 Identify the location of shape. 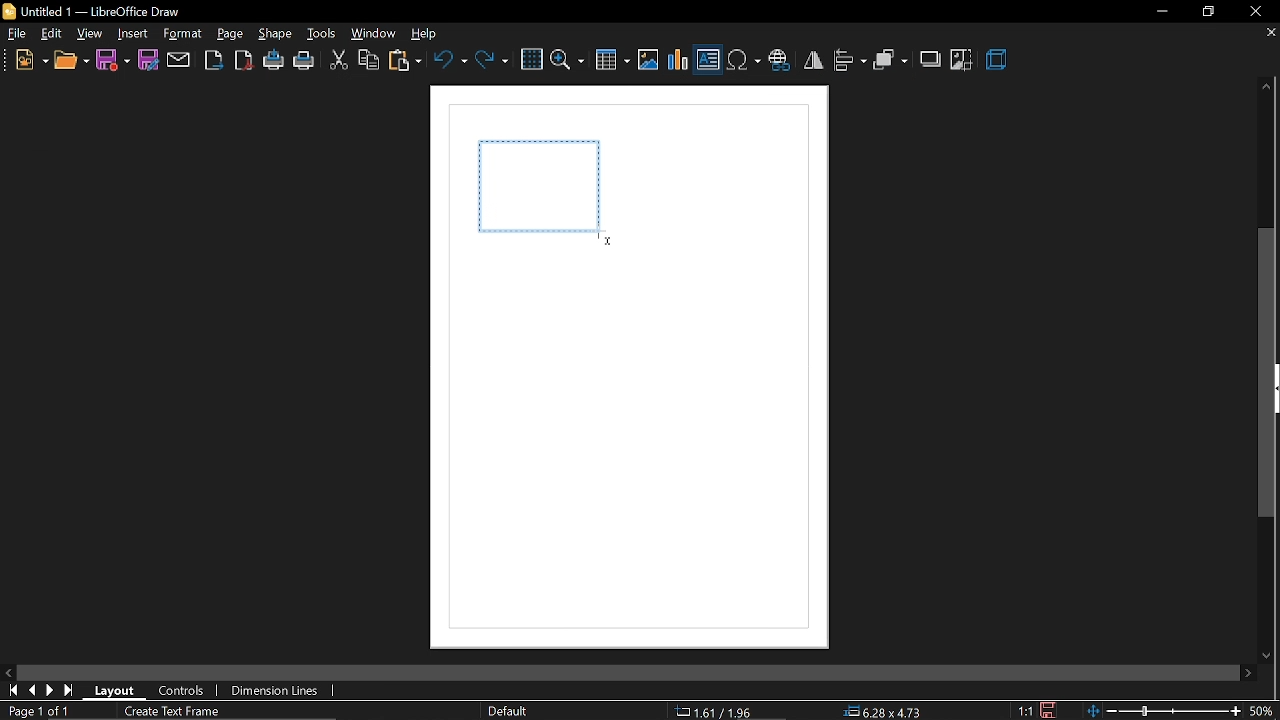
(277, 35).